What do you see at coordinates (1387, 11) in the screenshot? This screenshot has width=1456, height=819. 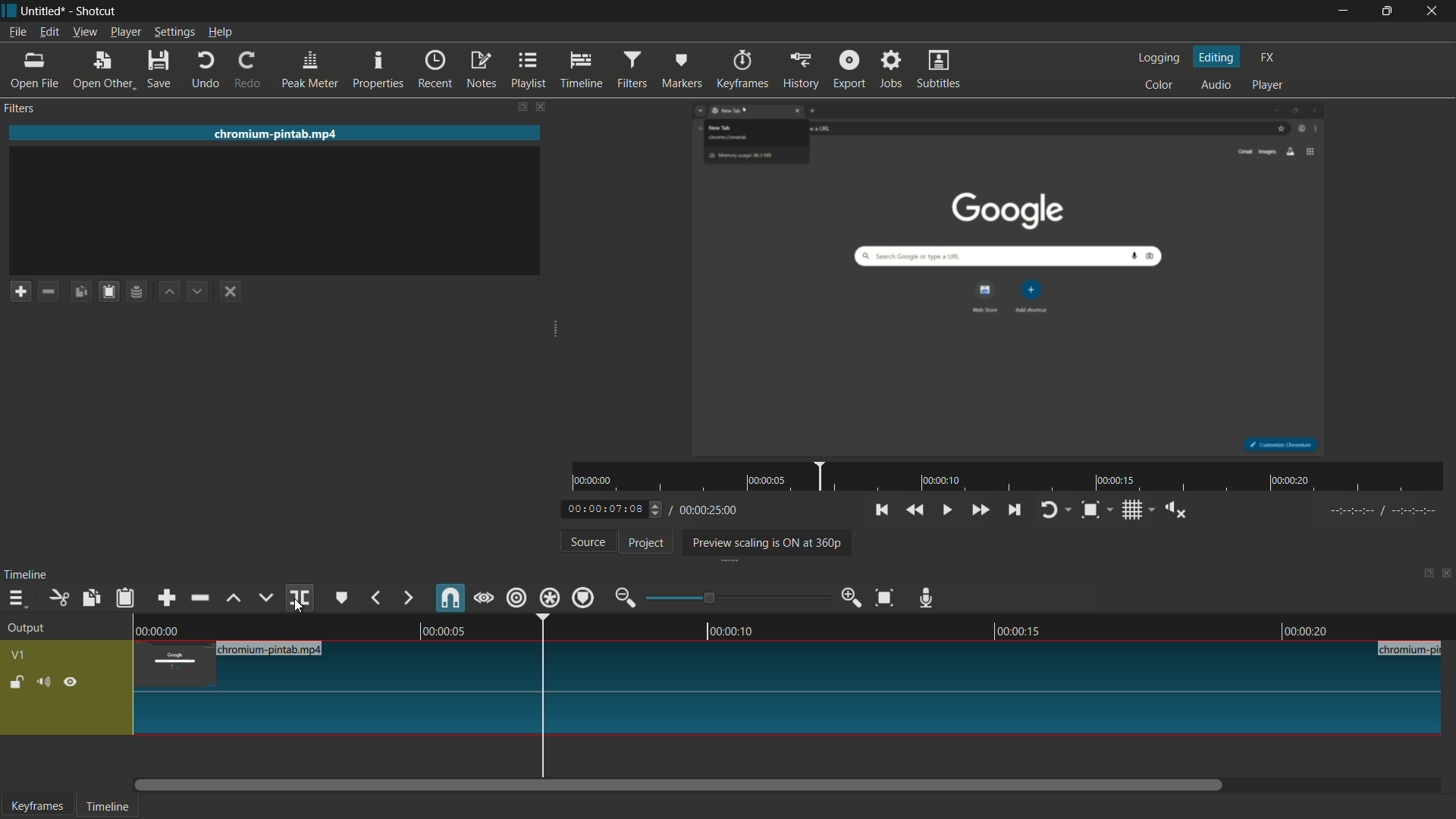 I see `maximize` at bounding box center [1387, 11].